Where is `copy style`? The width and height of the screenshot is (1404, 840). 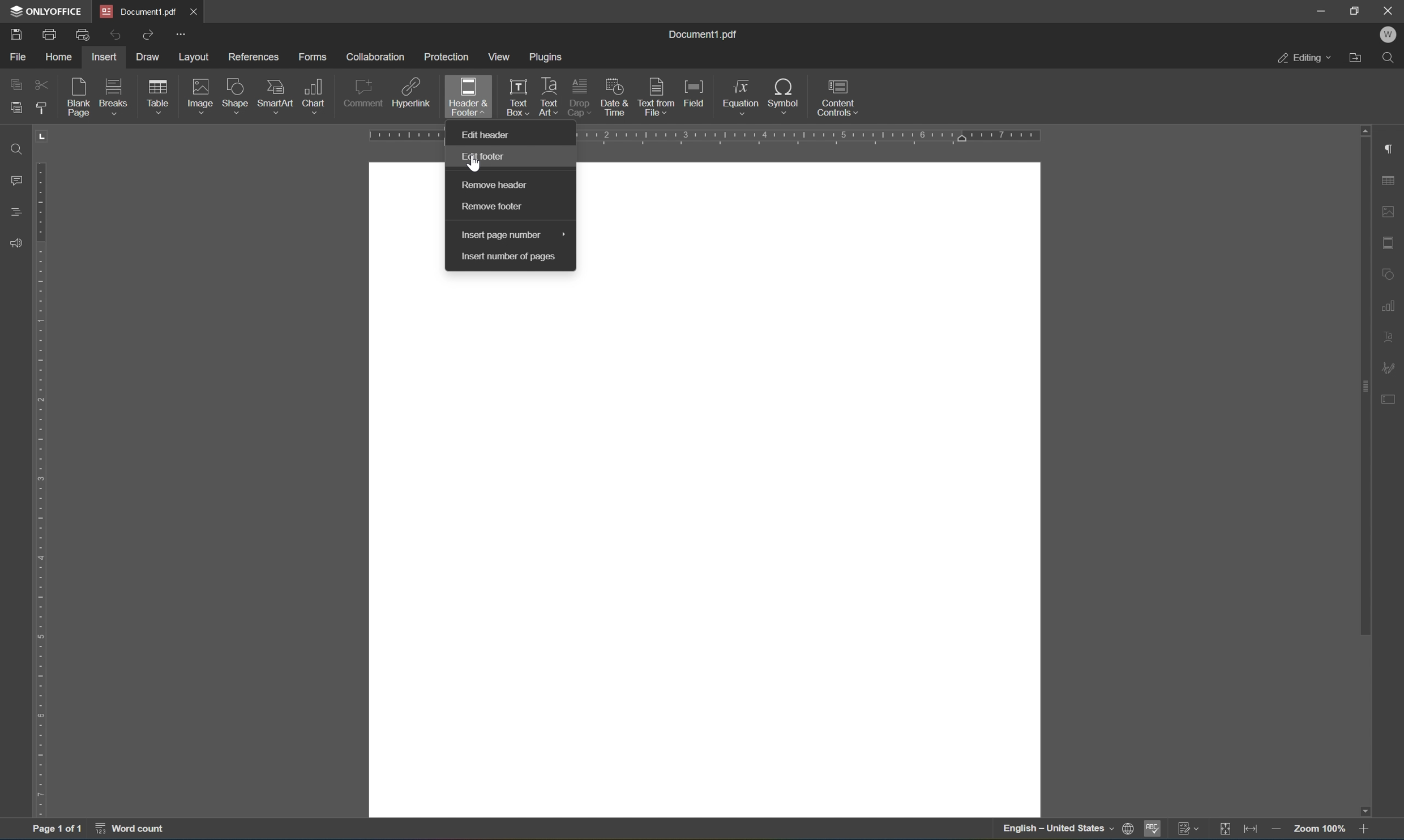 copy style is located at coordinates (40, 107).